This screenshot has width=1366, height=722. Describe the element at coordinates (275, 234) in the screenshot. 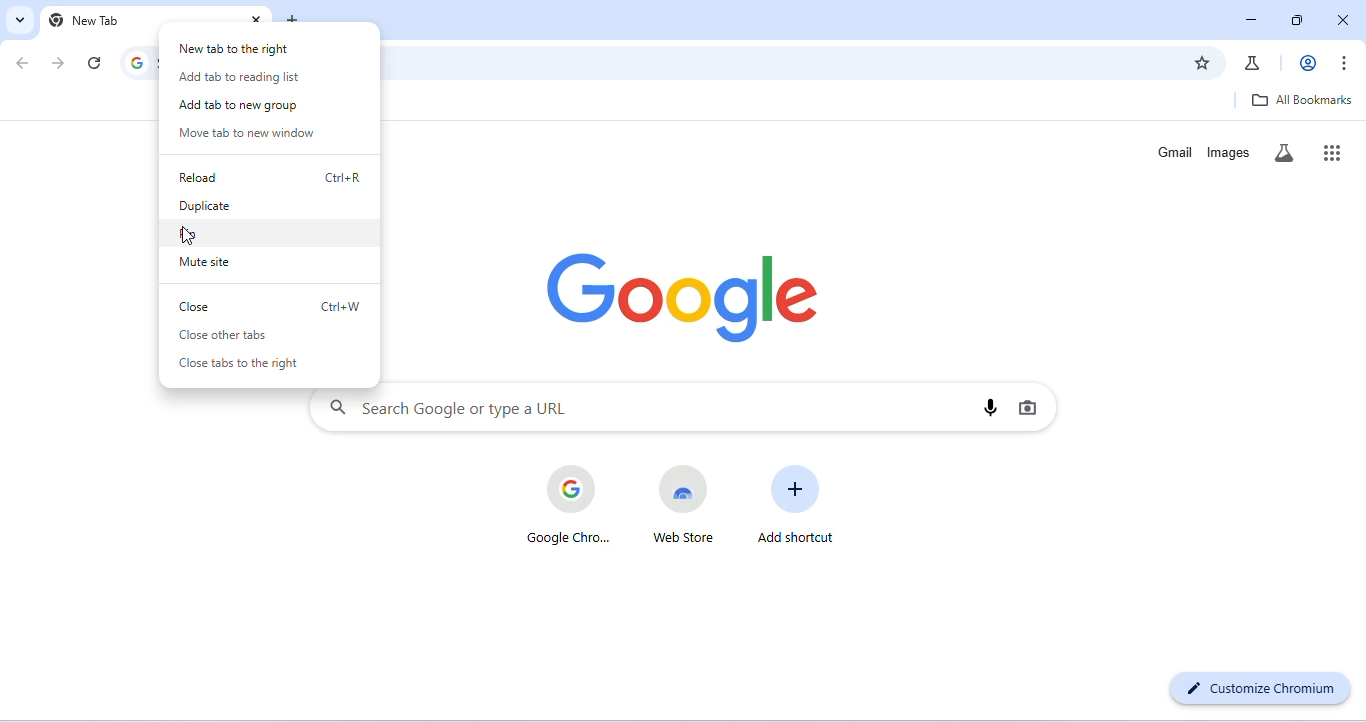

I see `pin` at that location.